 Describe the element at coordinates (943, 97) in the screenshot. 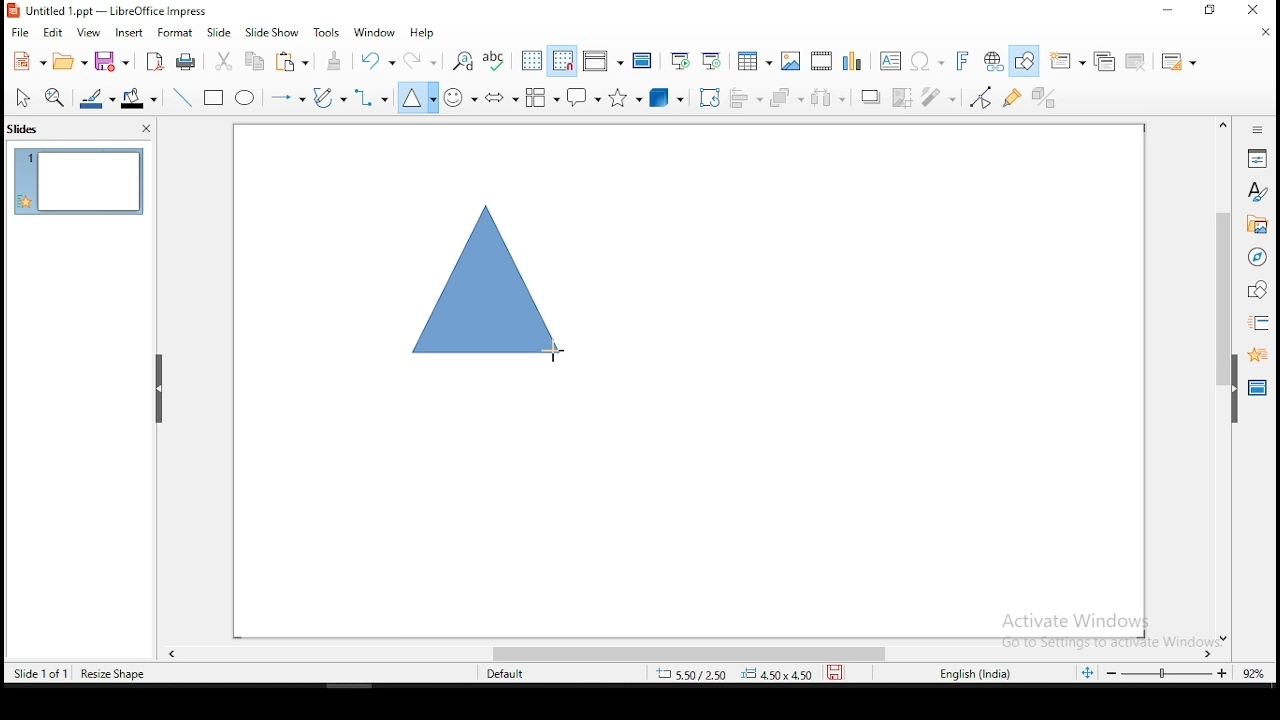

I see `filter` at that location.